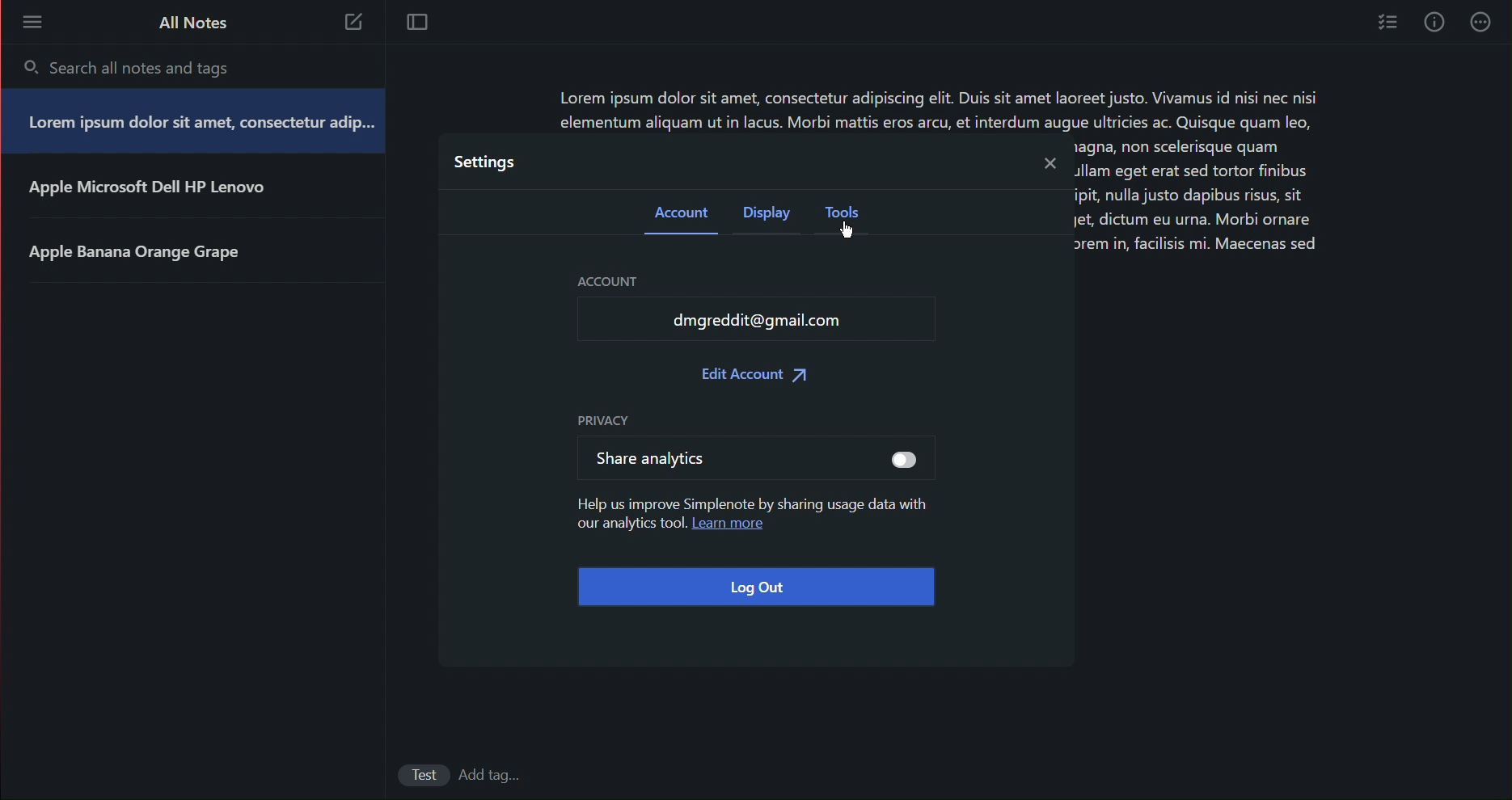  What do you see at coordinates (412, 774) in the screenshot?
I see `Test` at bounding box center [412, 774].